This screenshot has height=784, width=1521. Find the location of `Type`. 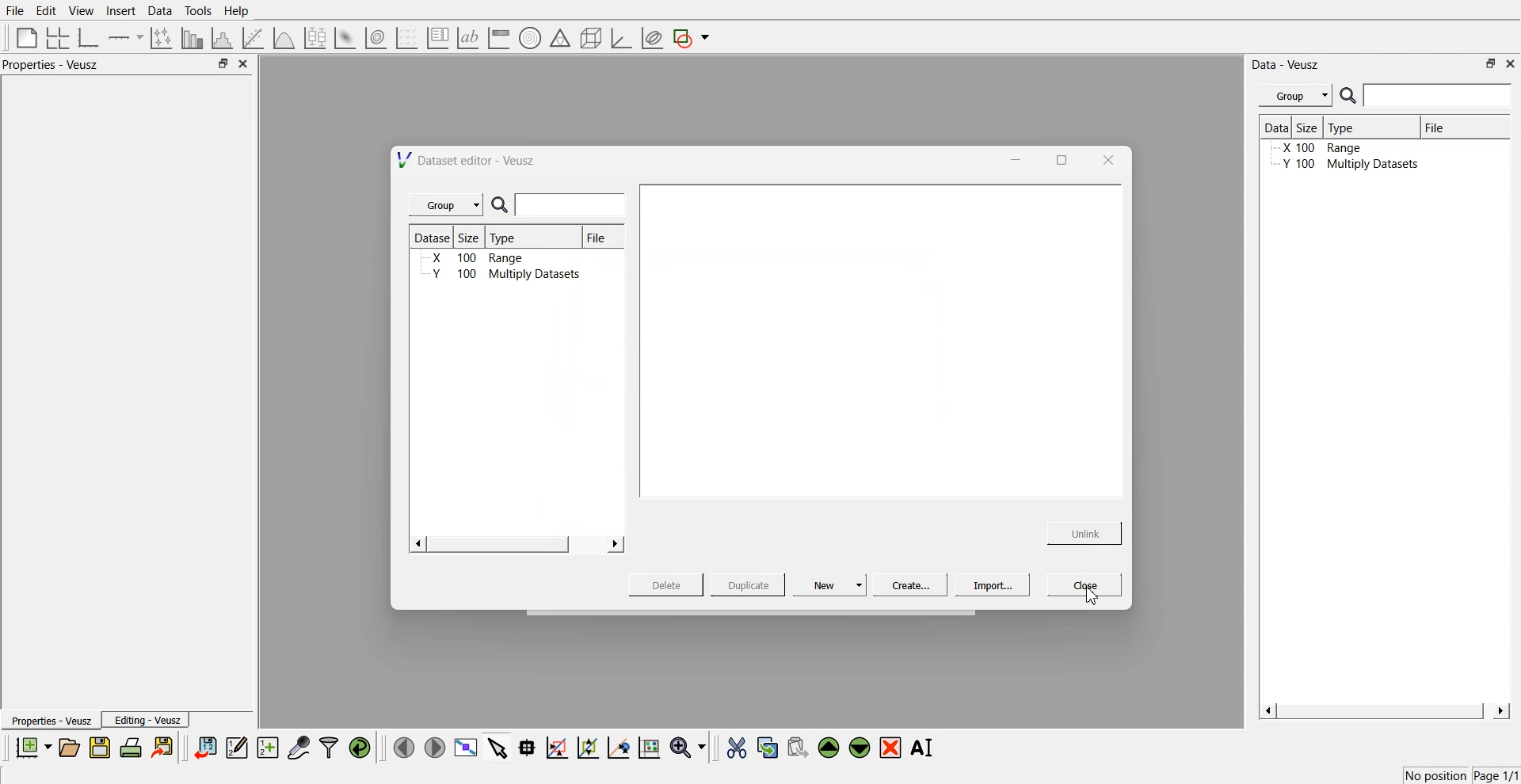

Type is located at coordinates (534, 236).